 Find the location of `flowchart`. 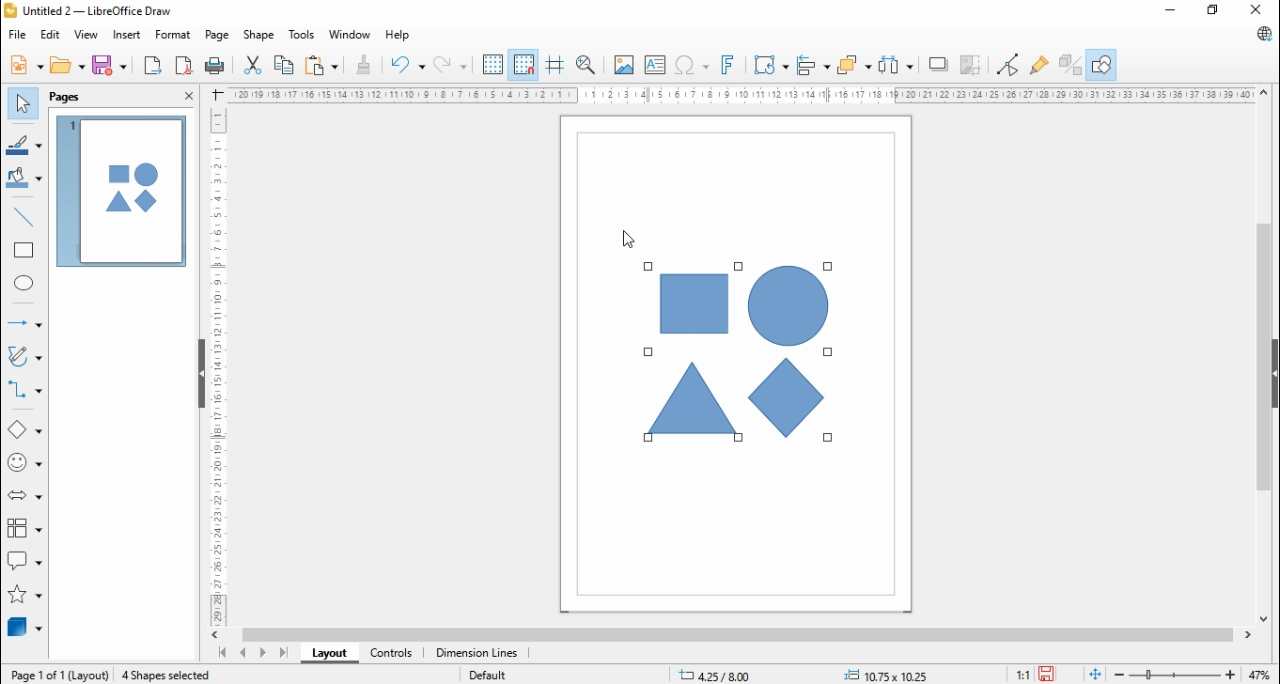

flowchart is located at coordinates (24, 528).